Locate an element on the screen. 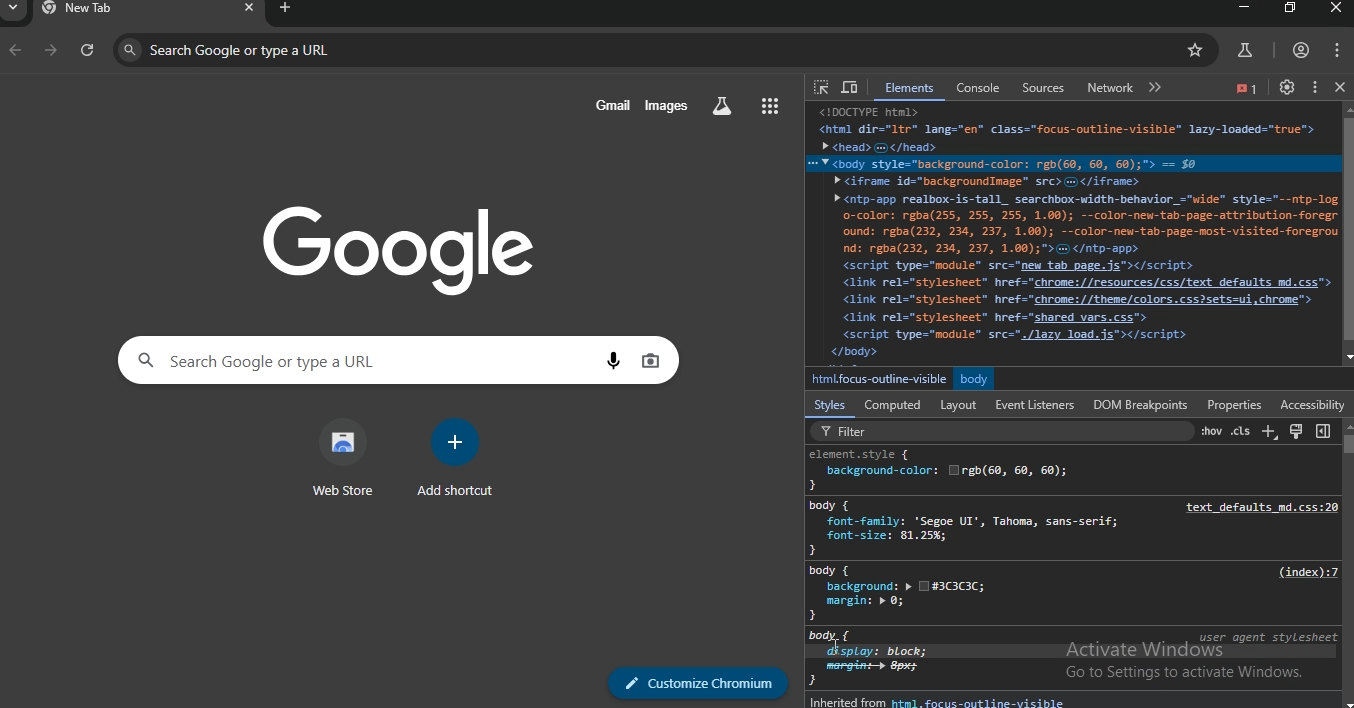 The image size is (1354, 708). icon is located at coordinates (1241, 90).